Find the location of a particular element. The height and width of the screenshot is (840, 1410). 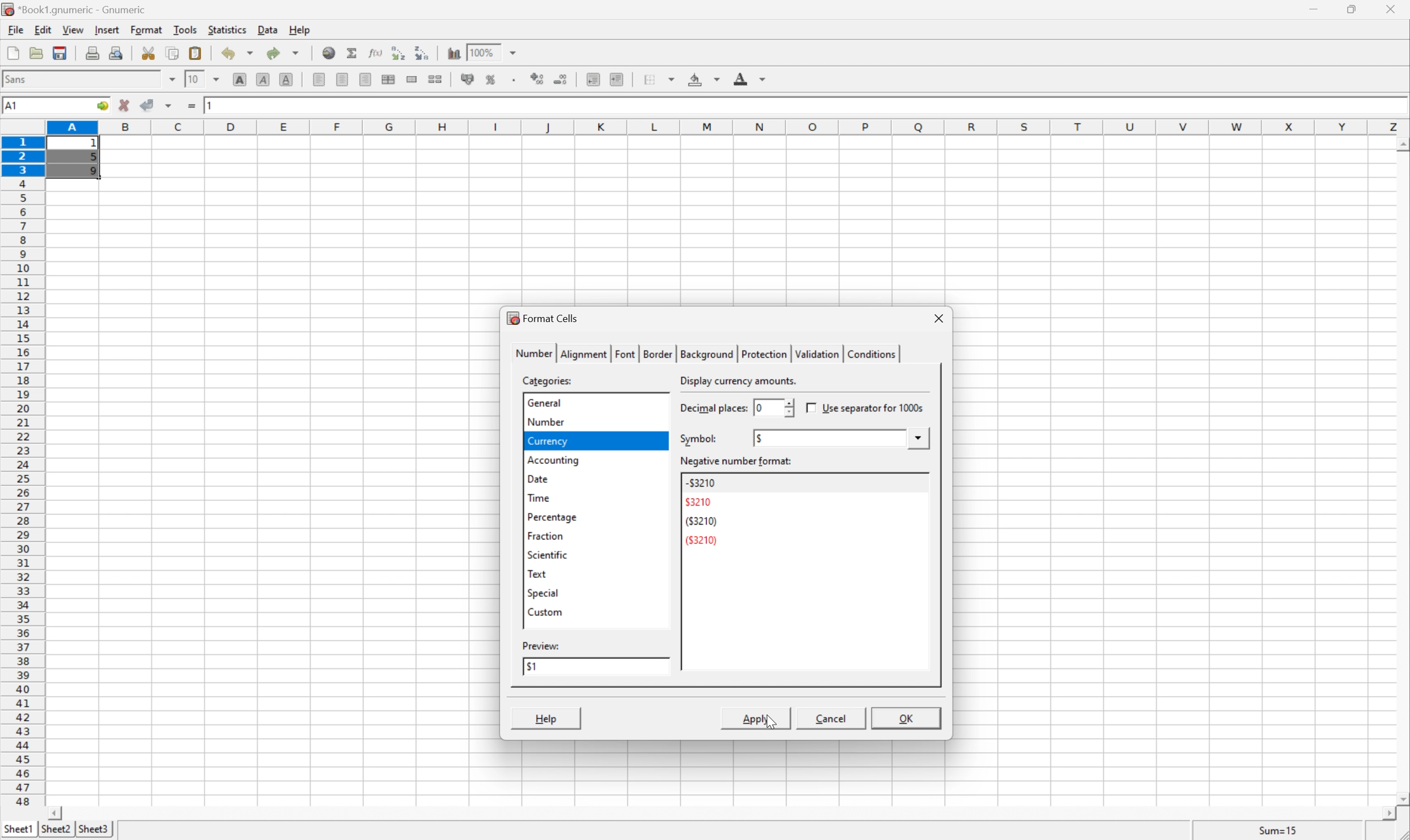

help is located at coordinates (301, 29).